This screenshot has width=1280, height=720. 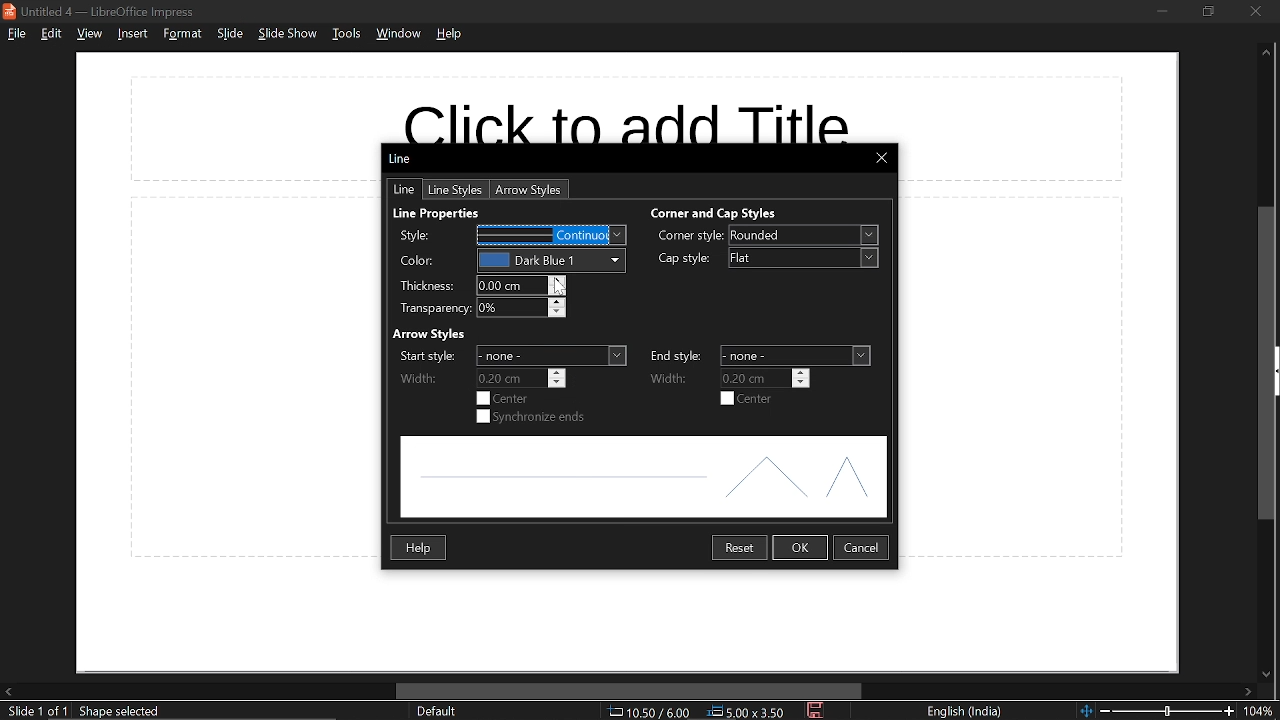 I want to click on start width, so click(x=521, y=378).